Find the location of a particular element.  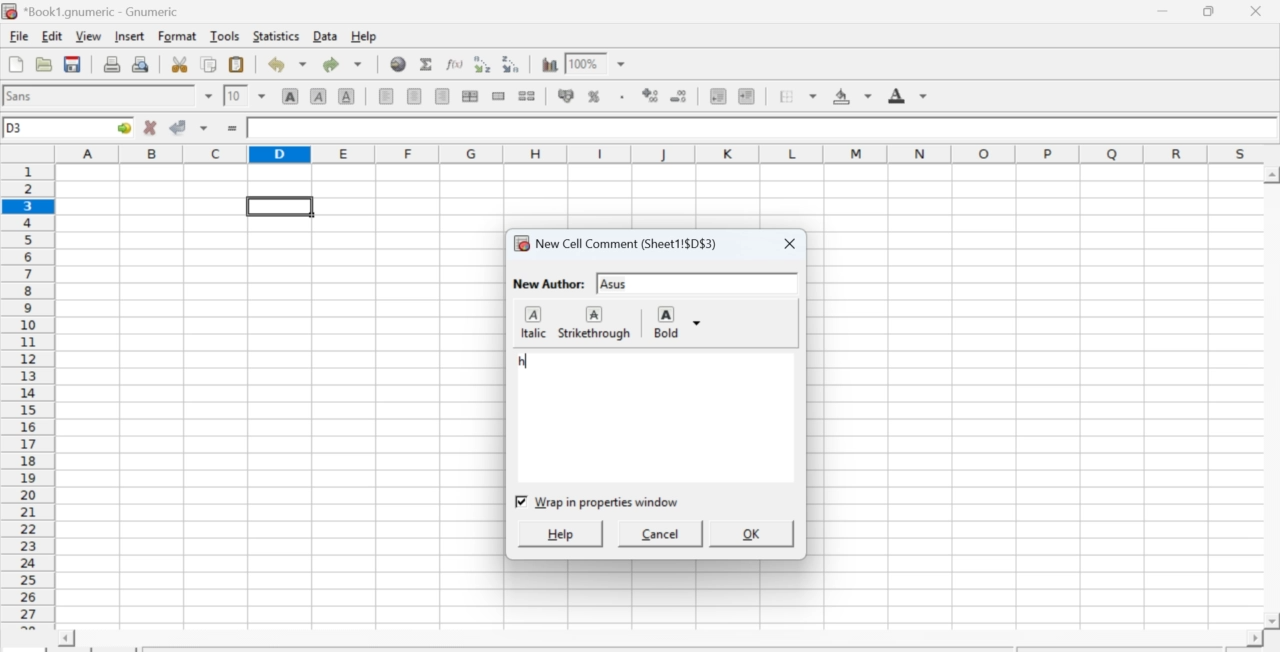

scroll down is located at coordinates (1272, 622).